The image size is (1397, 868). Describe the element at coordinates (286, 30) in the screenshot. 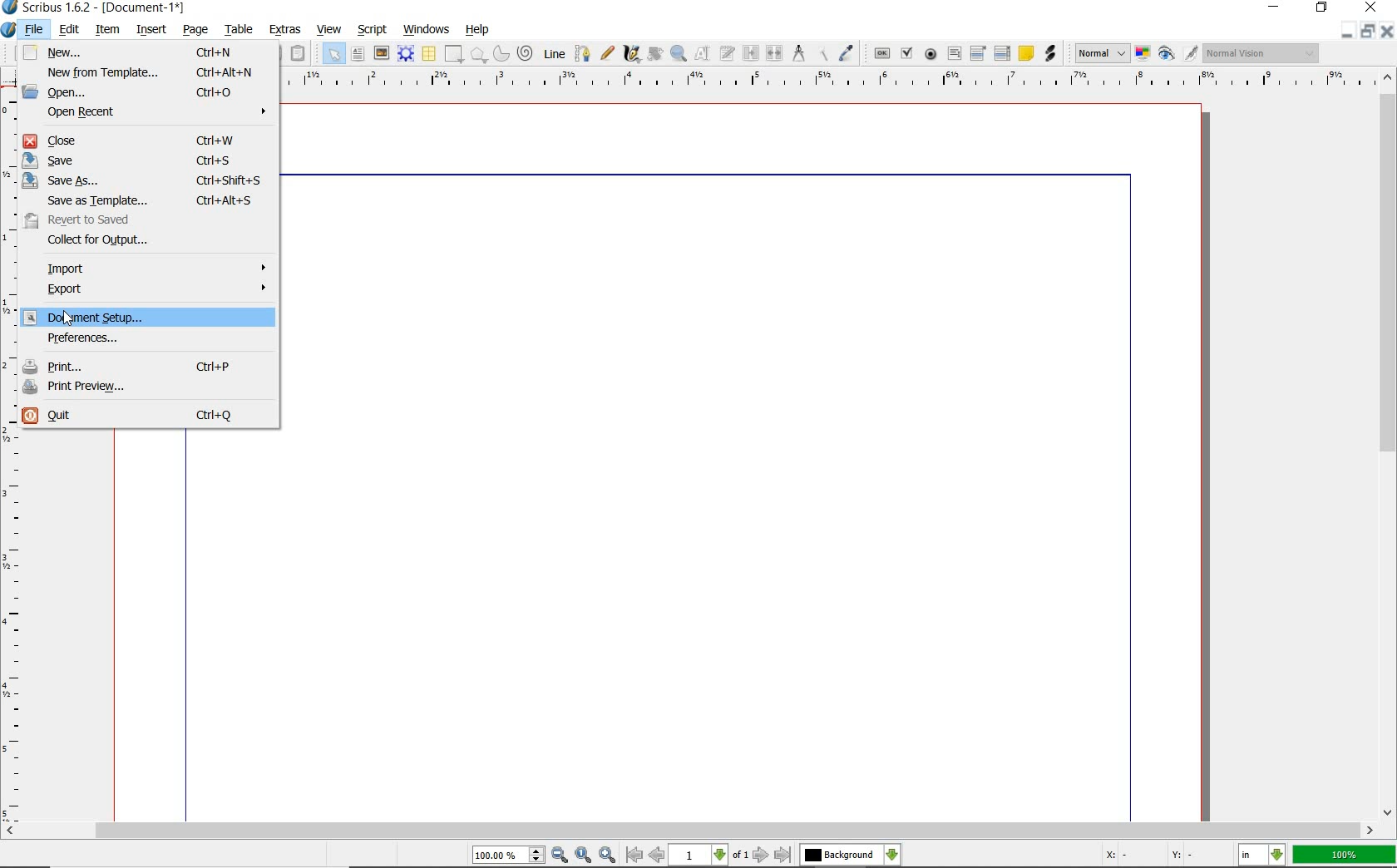

I see `extras` at that location.